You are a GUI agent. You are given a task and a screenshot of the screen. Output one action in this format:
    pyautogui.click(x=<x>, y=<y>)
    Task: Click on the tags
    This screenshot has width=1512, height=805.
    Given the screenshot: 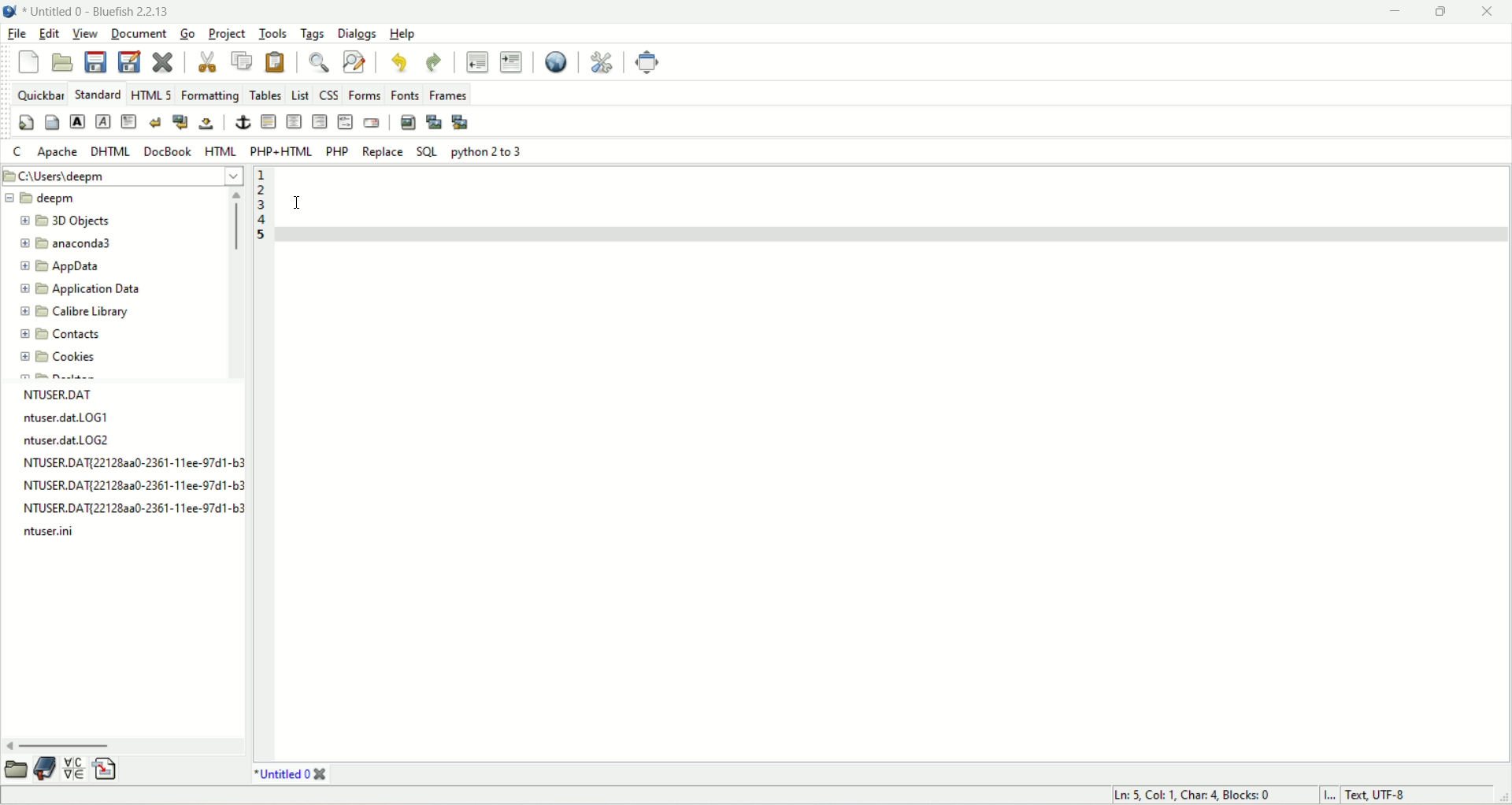 What is the action you would take?
    pyautogui.click(x=313, y=33)
    